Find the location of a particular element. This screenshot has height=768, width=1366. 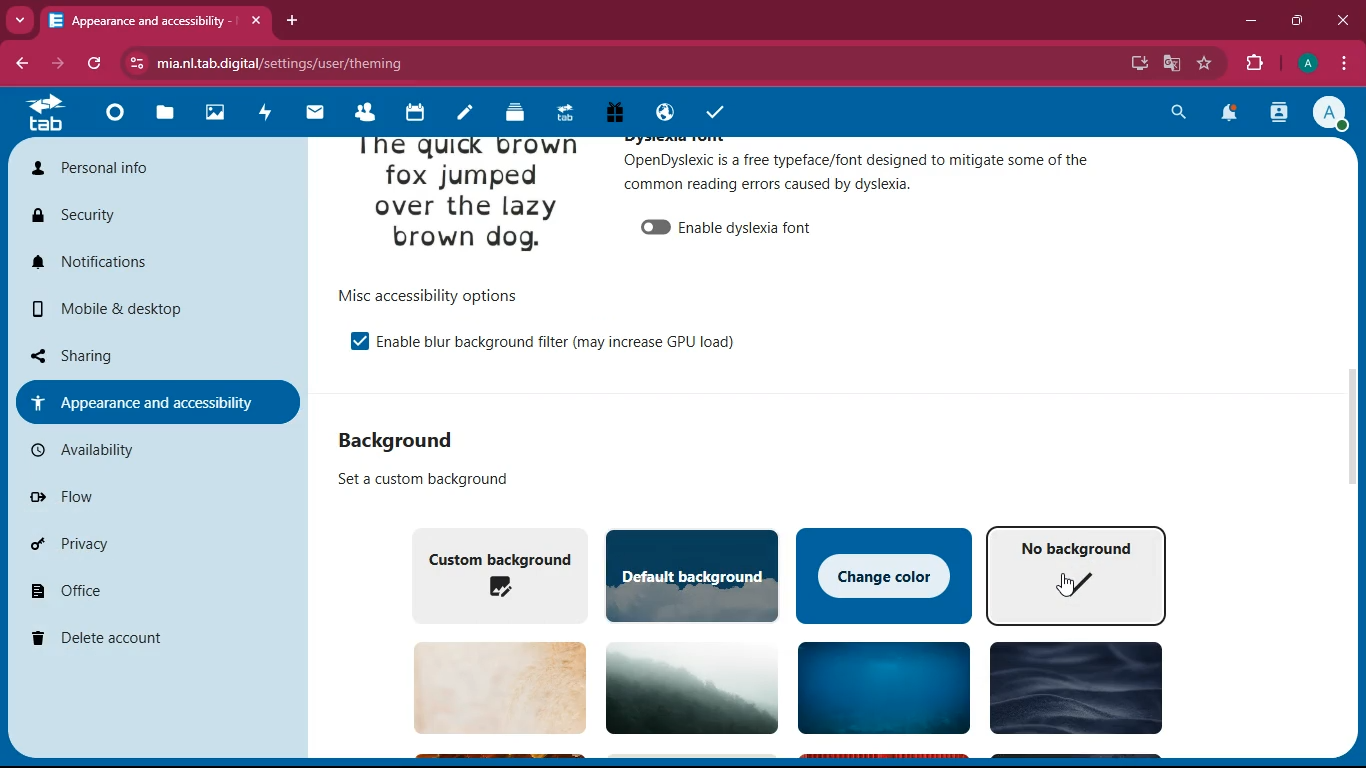

background is located at coordinates (684, 686).